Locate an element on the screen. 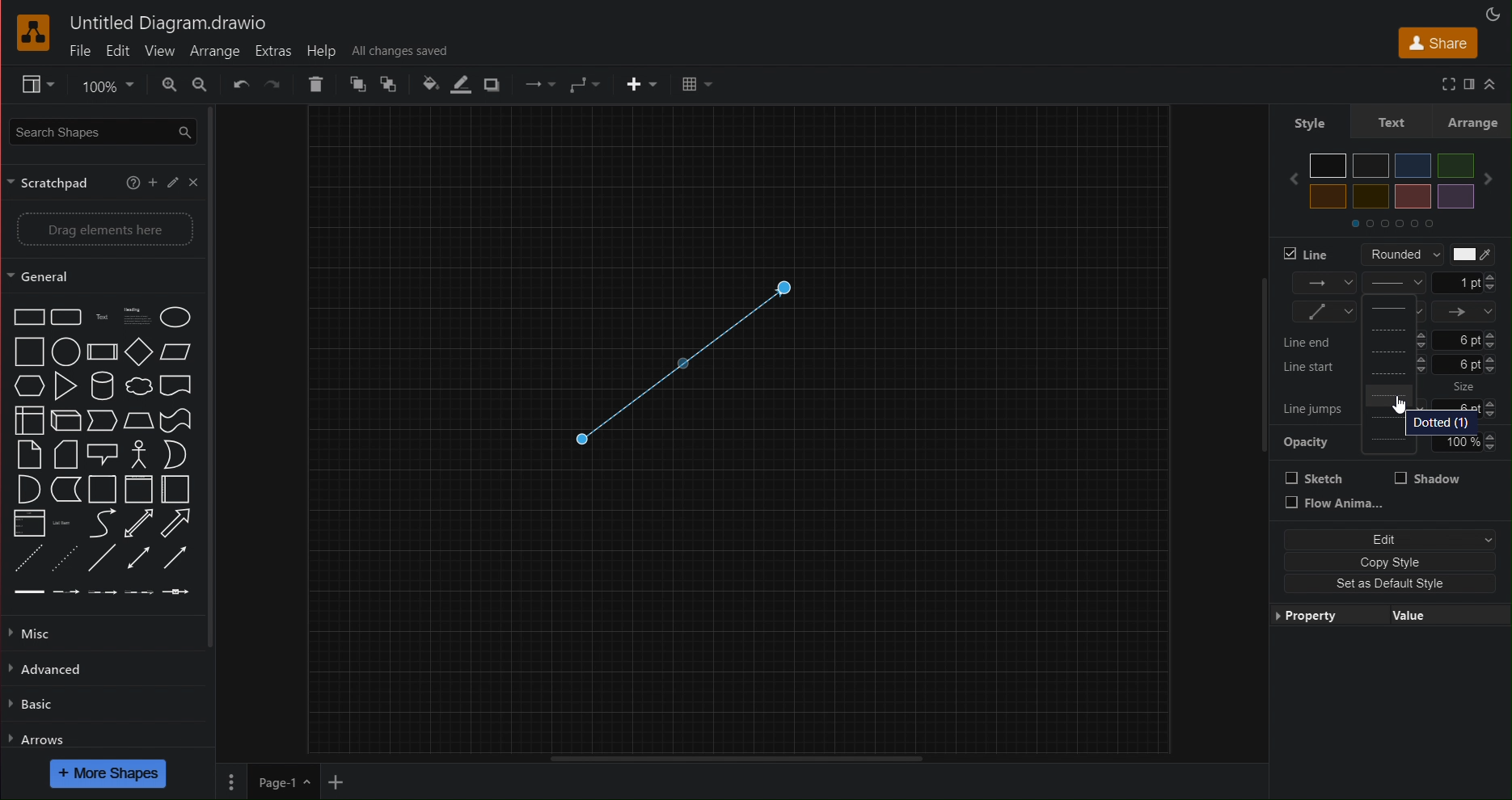 The image size is (1512, 800). Edit is located at coordinates (1394, 540).